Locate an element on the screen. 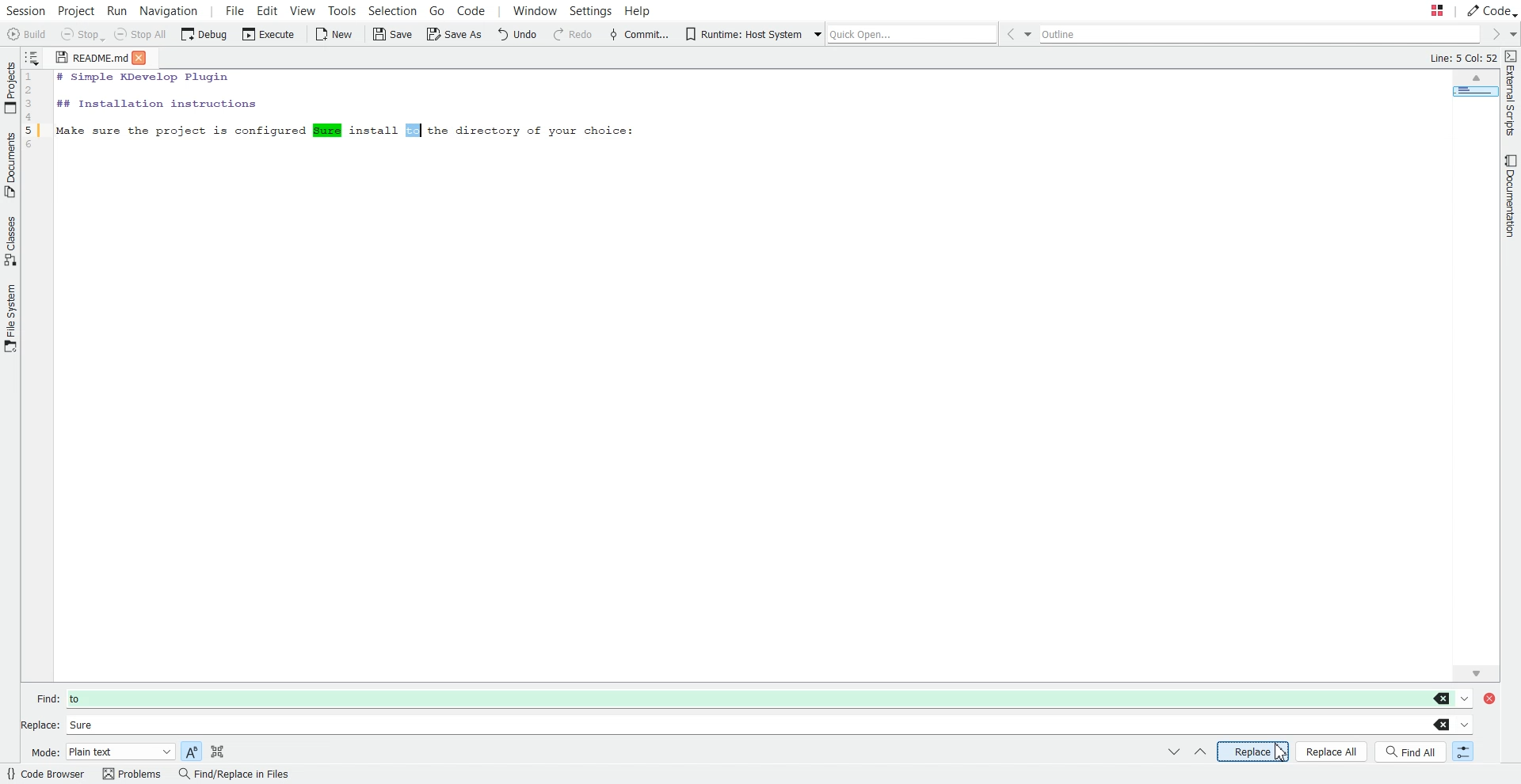 The width and height of the screenshot is (1521, 784). Save as is located at coordinates (453, 36).